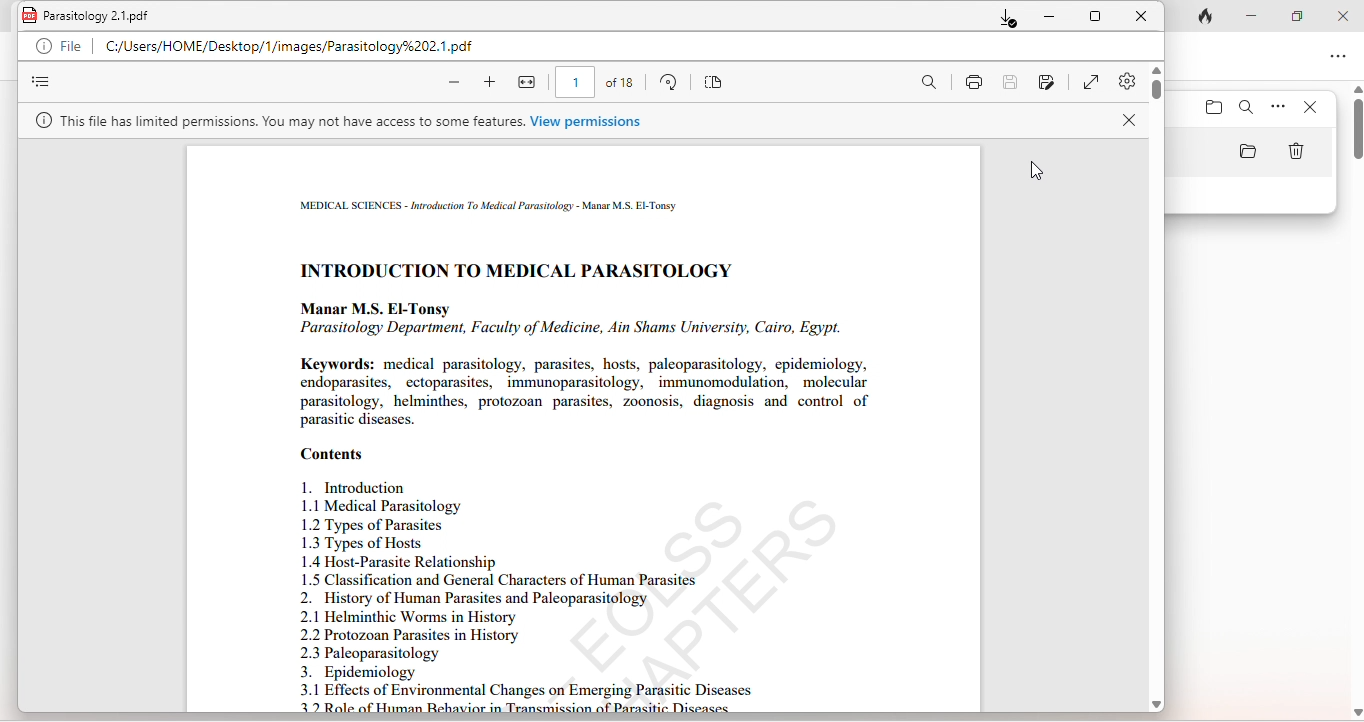 The height and width of the screenshot is (722, 1364). I want to click on vertical scroll bar, so click(1155, 83).